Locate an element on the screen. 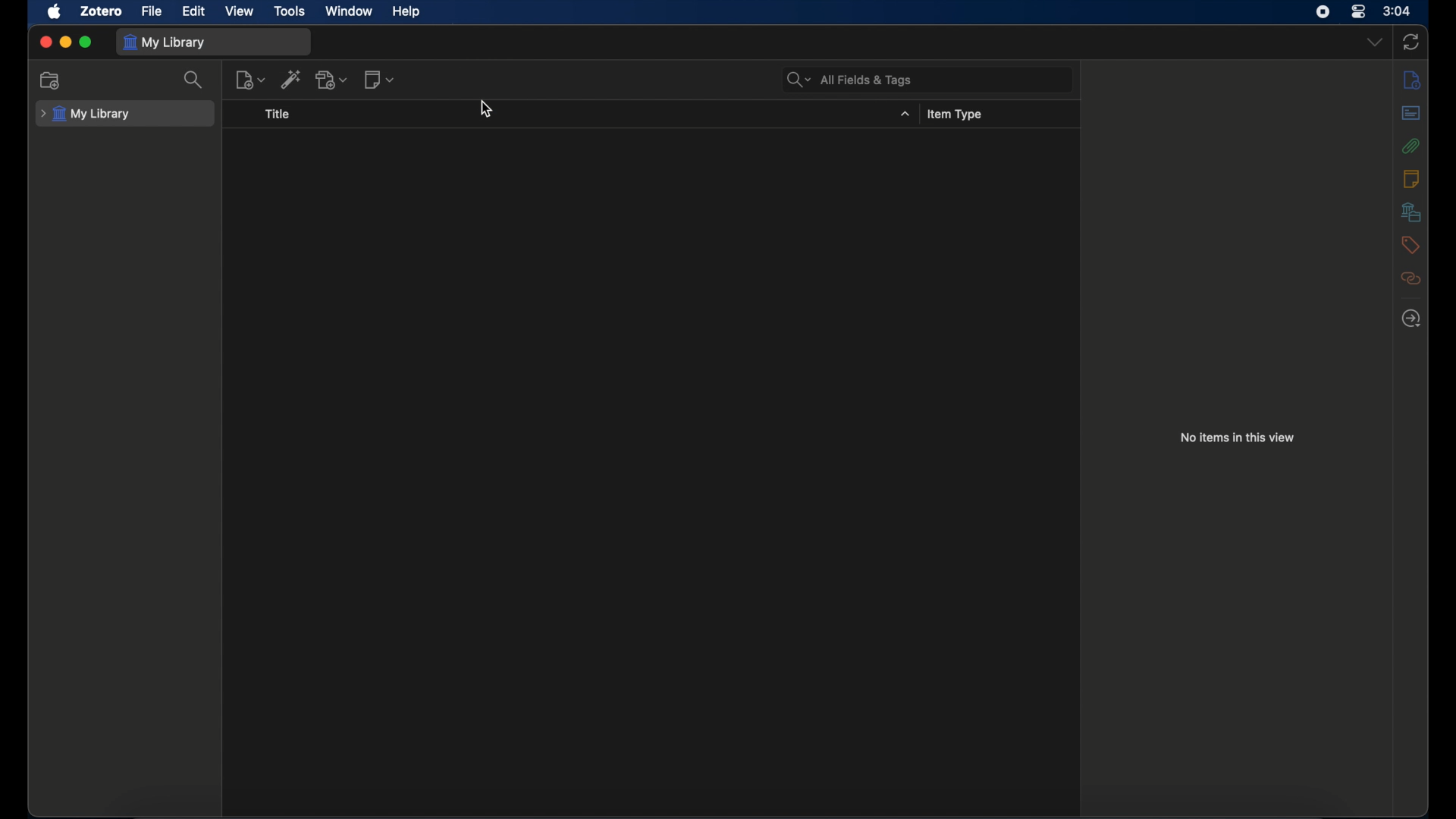  cursor is located at coordinates (488, 109).